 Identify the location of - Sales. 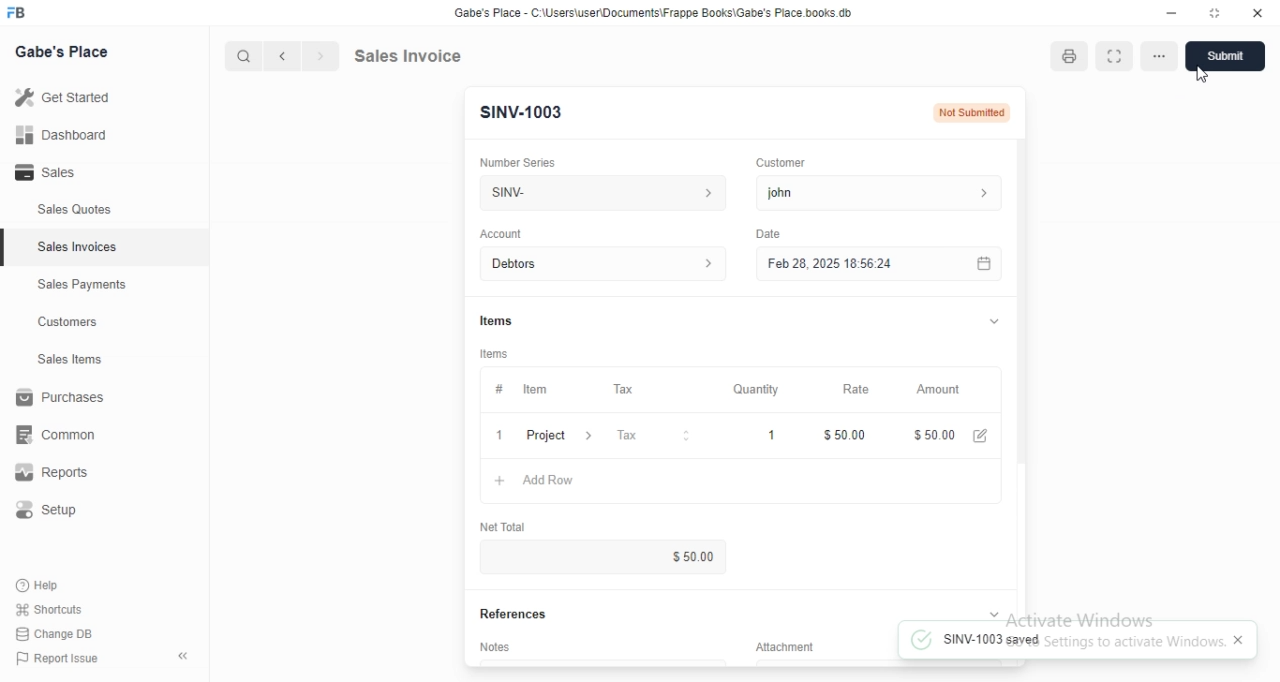
(64, 175).